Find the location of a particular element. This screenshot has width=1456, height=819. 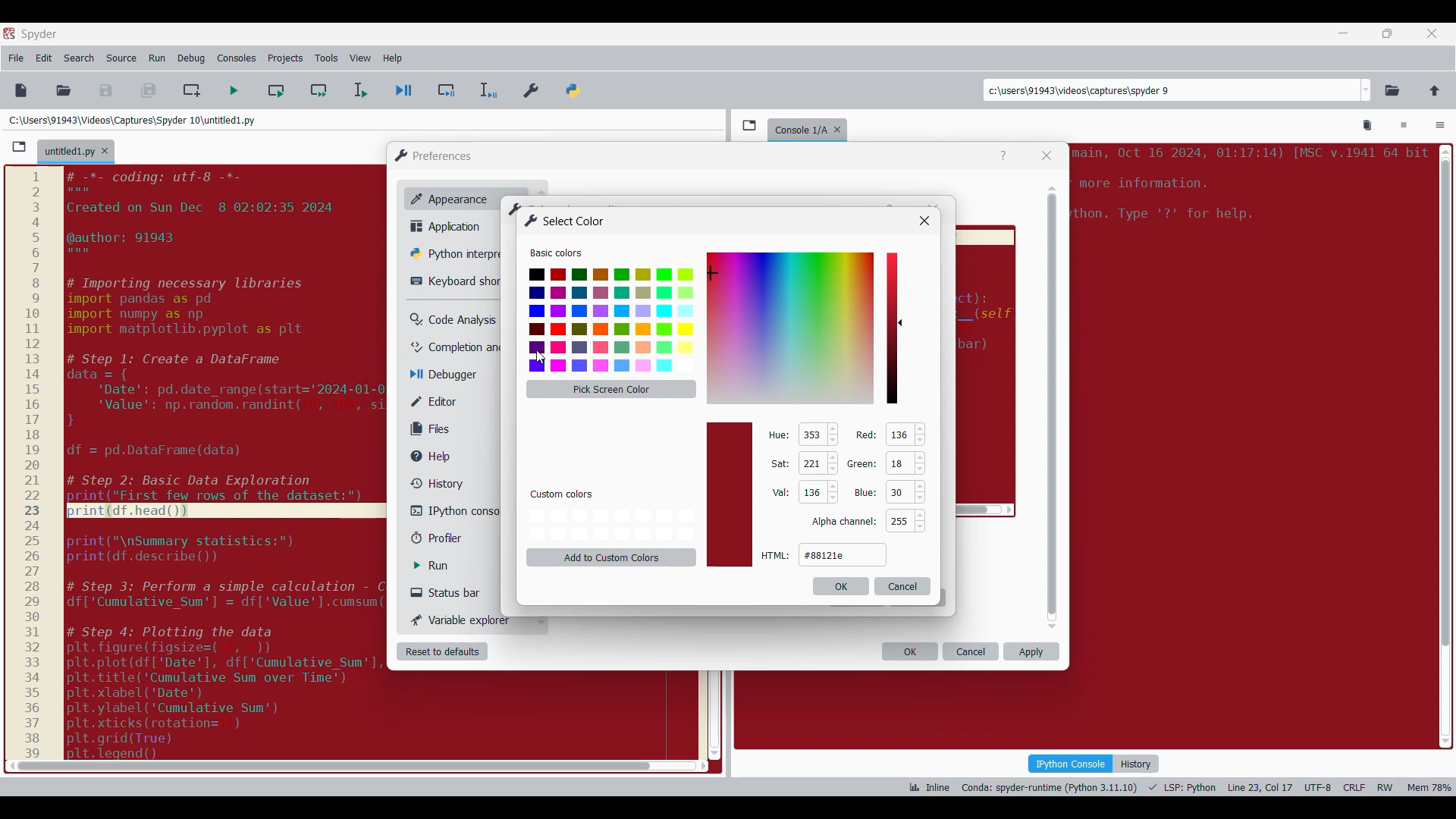

Window title is located at coordinates (565, 221).